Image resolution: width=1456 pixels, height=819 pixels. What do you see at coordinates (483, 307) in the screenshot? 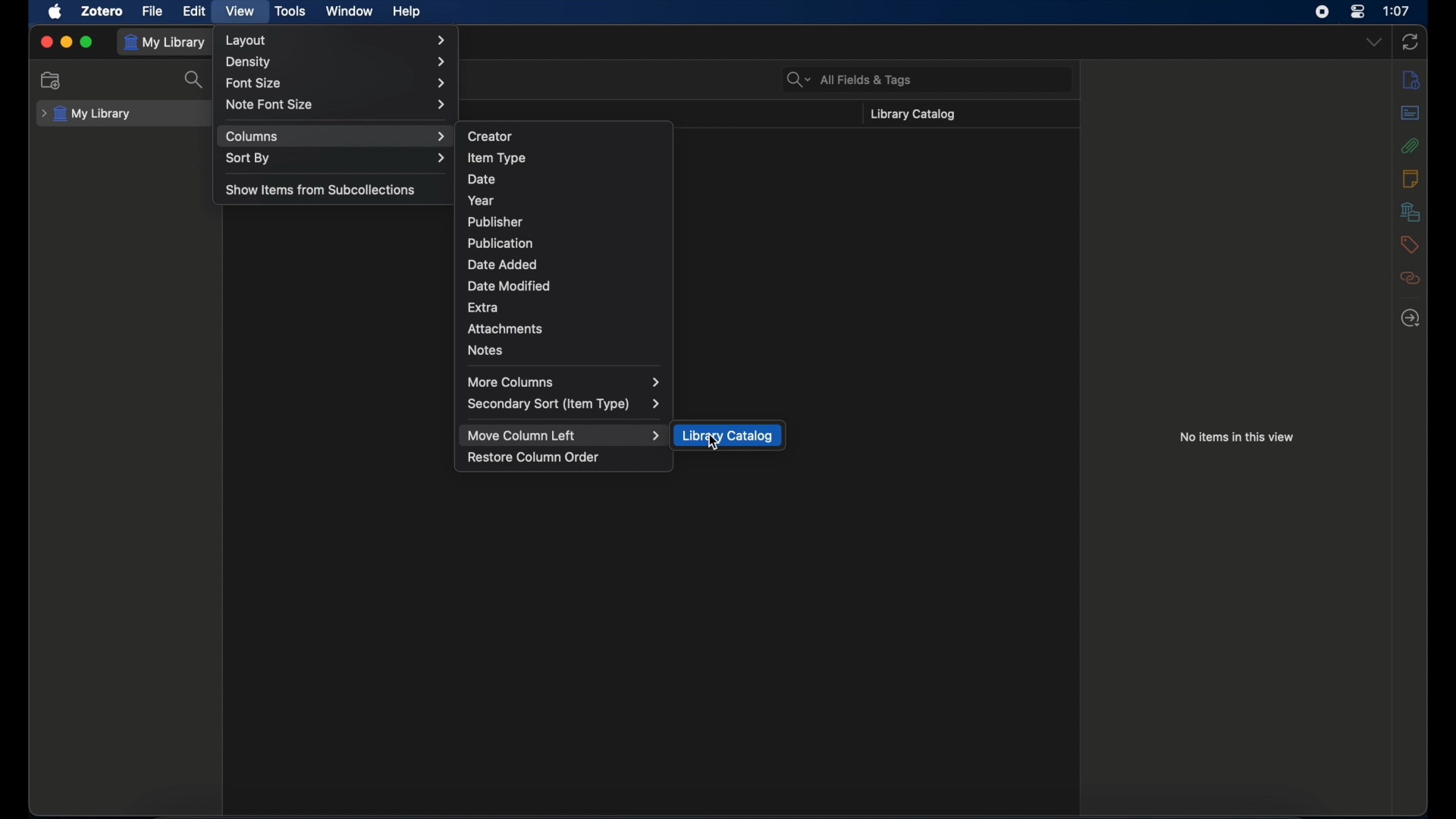
I see `extra` at bounding box center [483, 307].